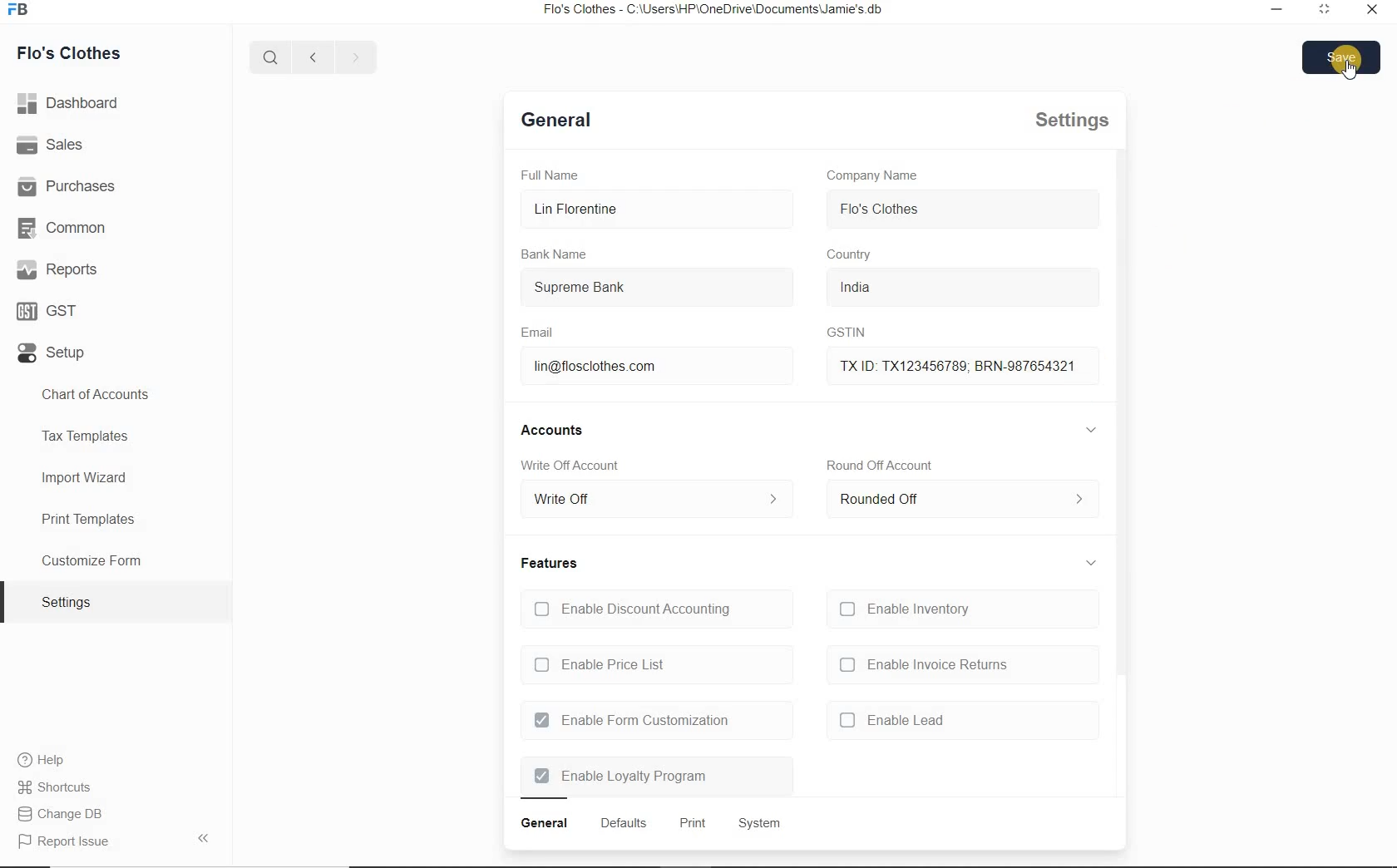  Describe the element at coordinates (631, 721) in the screenshot. I see `Enable Form Customization` at that location.